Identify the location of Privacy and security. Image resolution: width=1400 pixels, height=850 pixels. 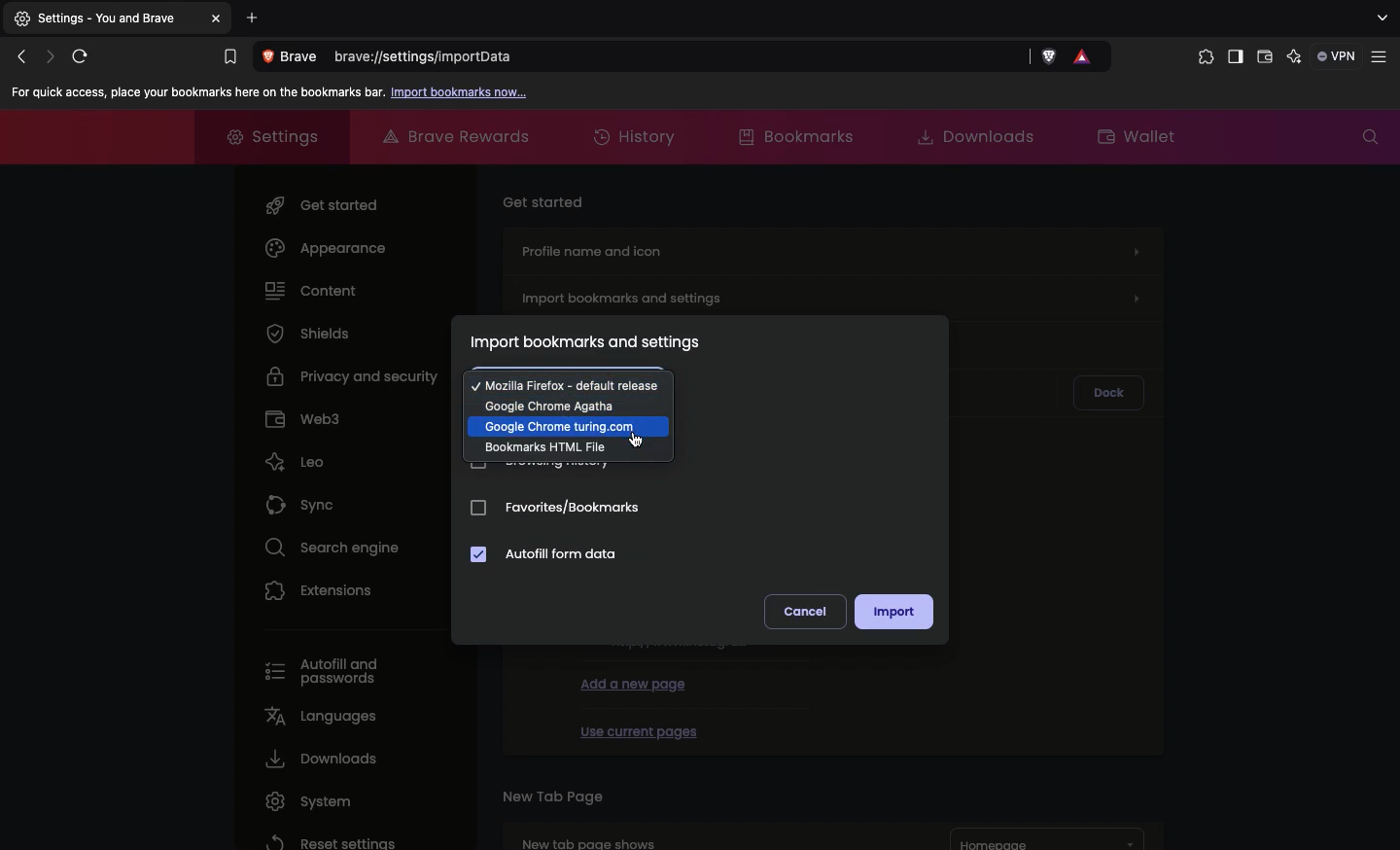
(356, 374).